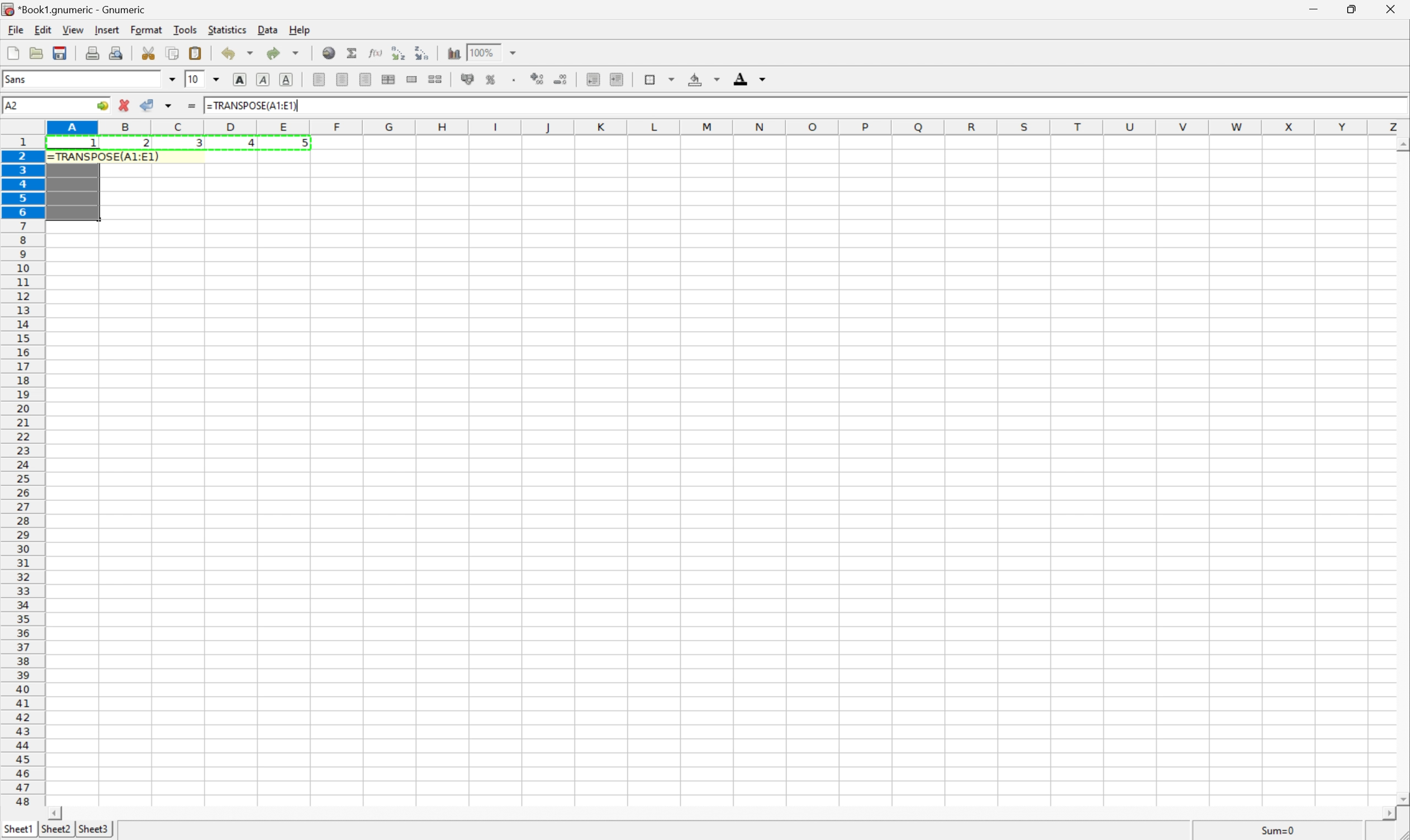 Image resolution: width=1410 pixels, height=840 pixels. I want to click on help, so click(297, 29).